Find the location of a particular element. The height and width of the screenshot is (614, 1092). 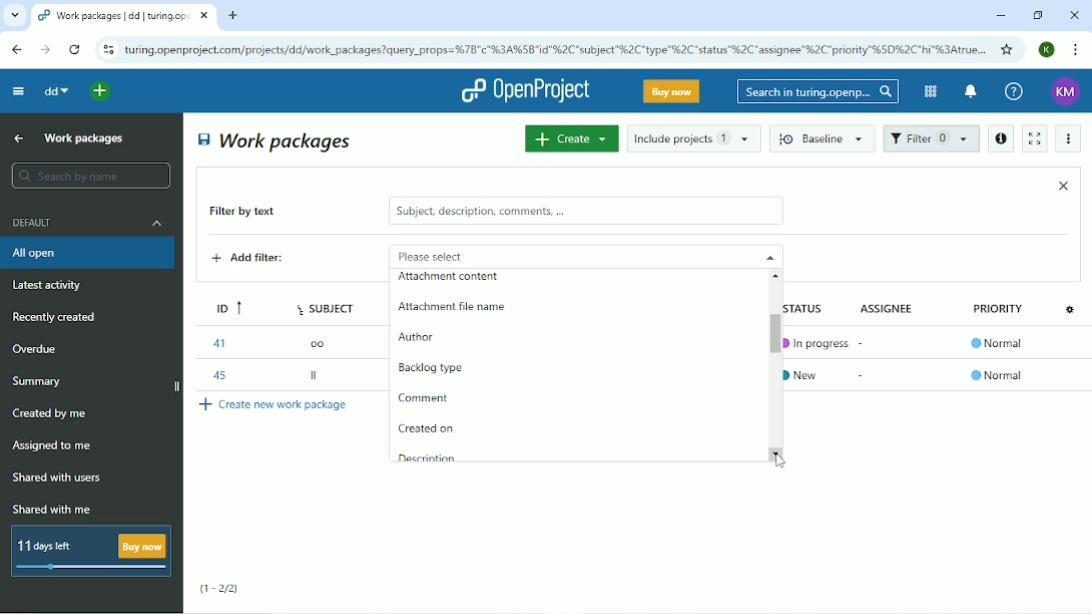

Default is located at coordinates (89, 222).